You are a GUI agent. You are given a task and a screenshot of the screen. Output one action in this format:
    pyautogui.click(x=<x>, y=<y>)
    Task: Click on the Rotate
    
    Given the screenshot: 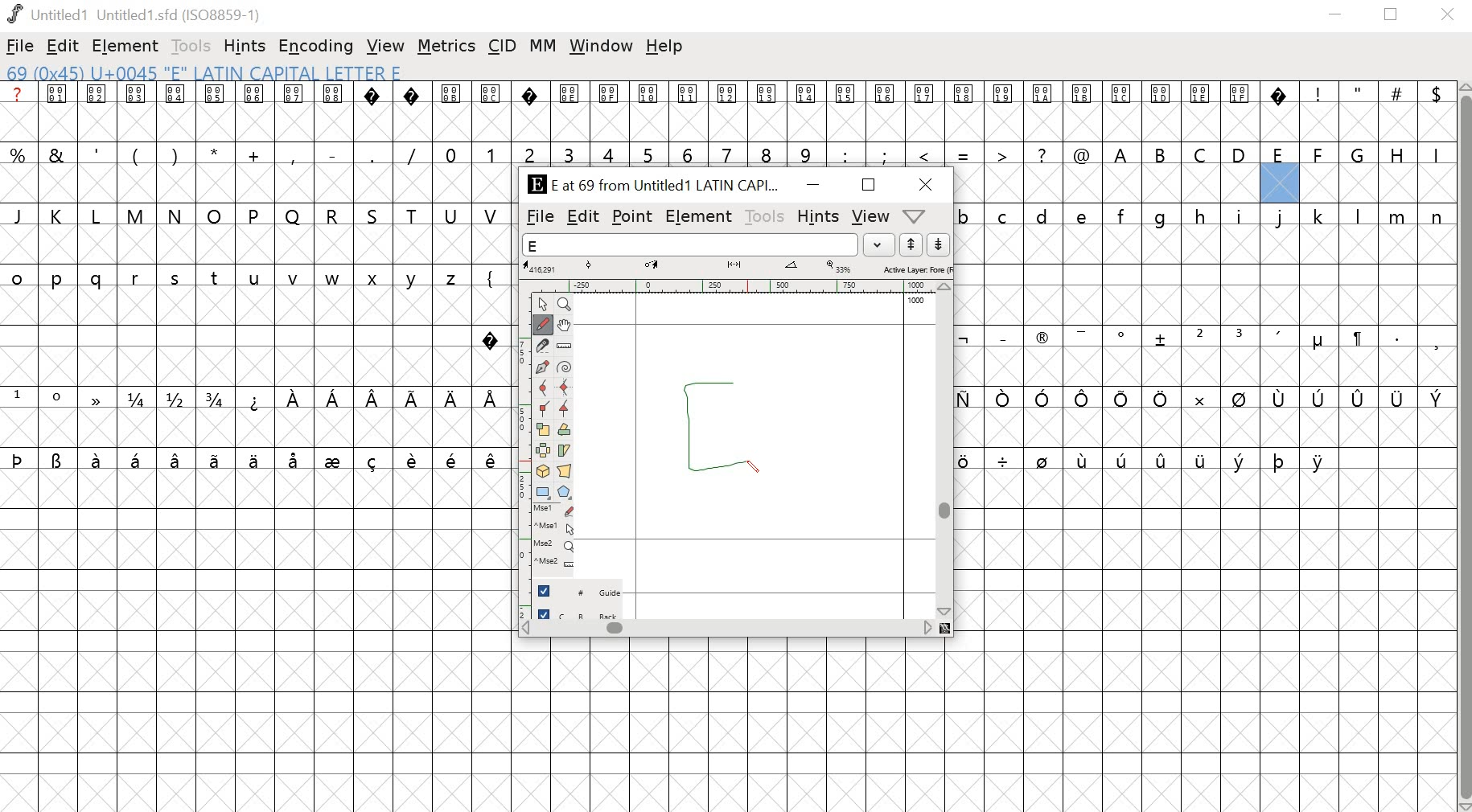 What is the action you would take?
    pyautogui.click(x=565, y=430)
    